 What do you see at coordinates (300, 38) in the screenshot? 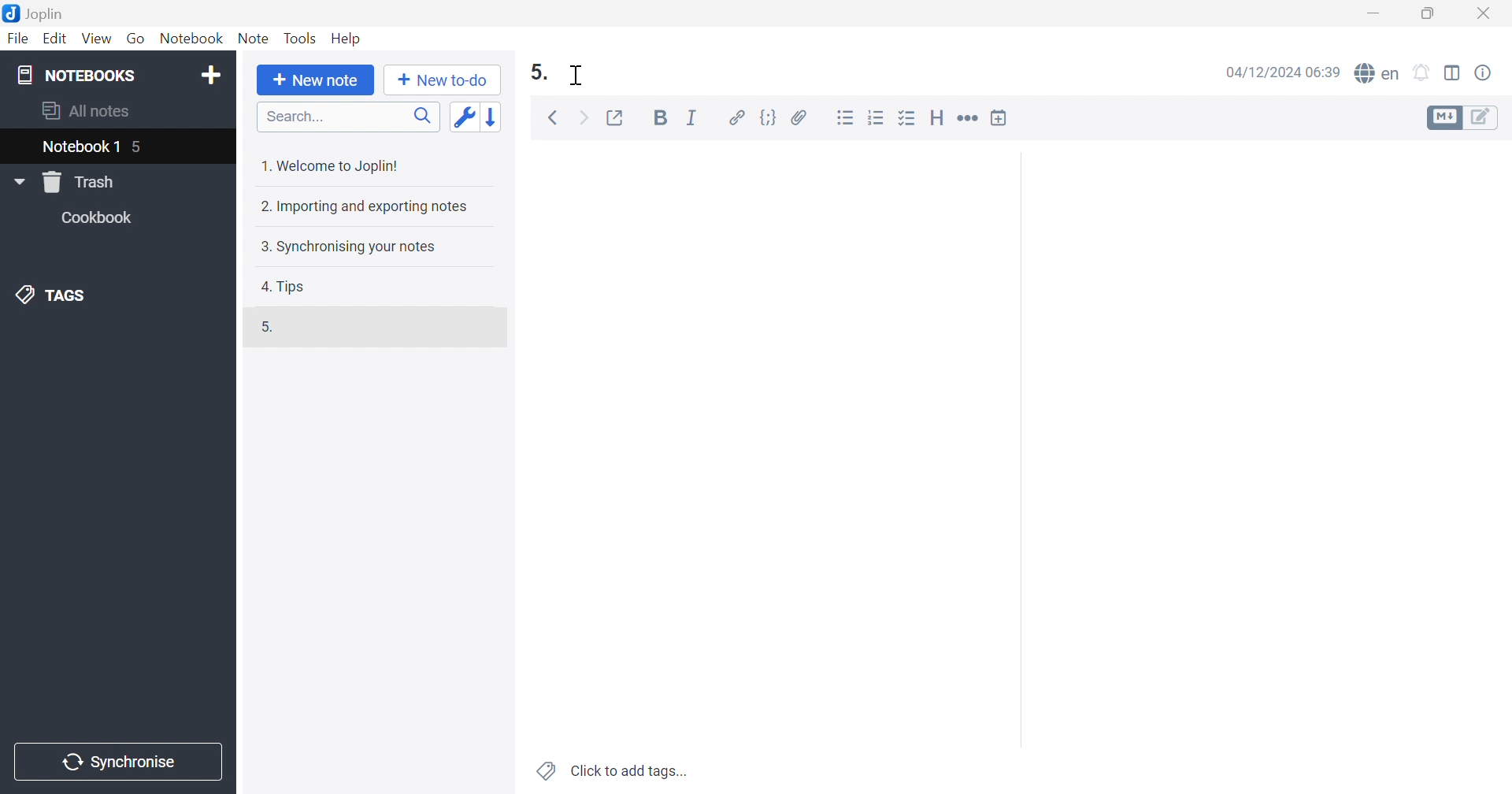
I see `Tools` at bounding box center [300, 38].